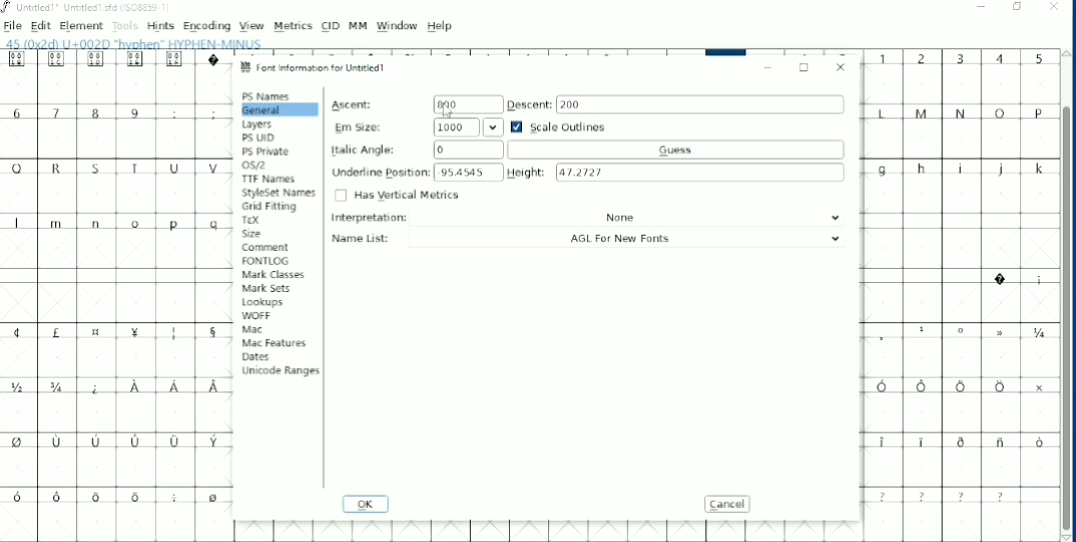 Image resolution: width=1076 pixels, height=542 pixels. I want to click on Descent, so click(675, 104).